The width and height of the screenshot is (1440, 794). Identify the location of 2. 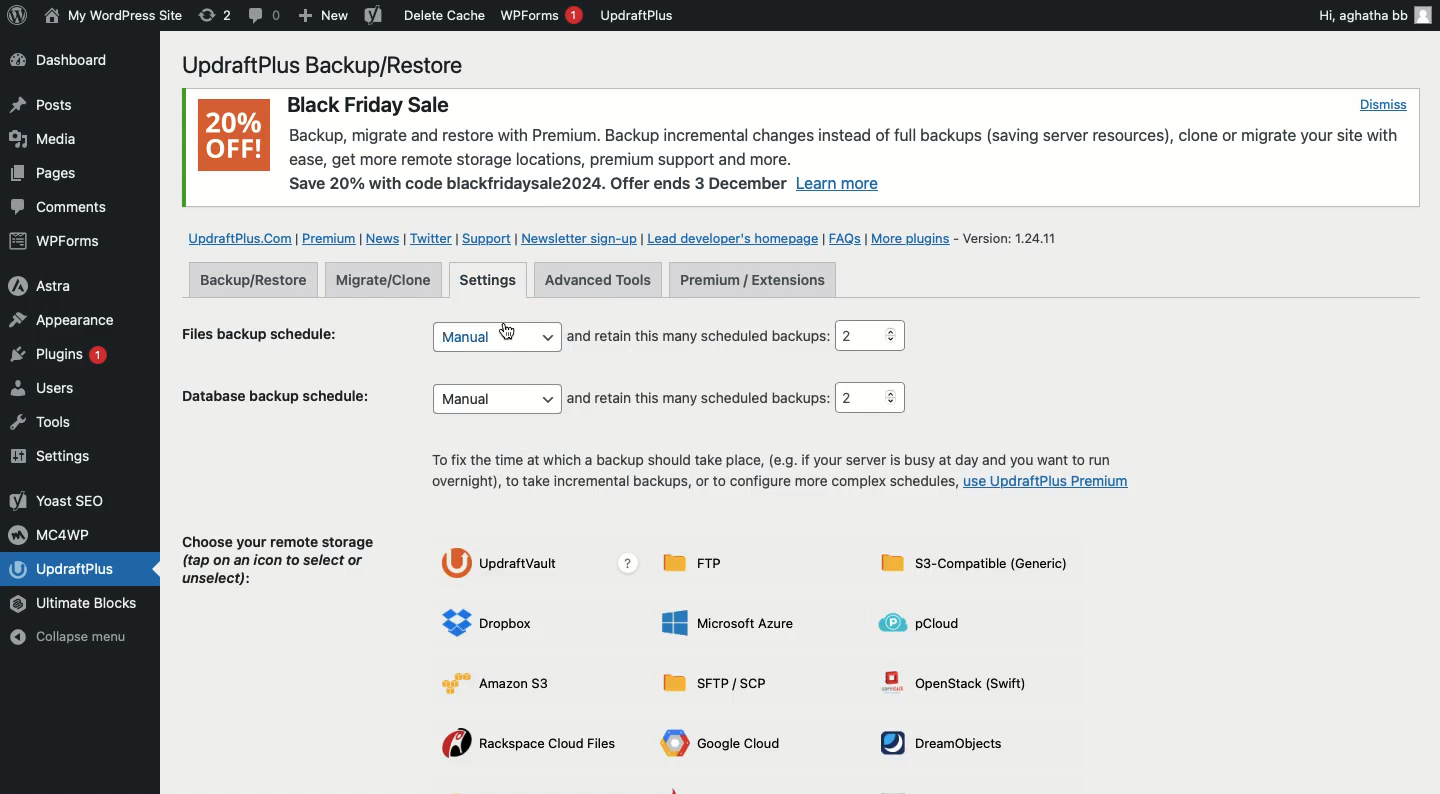
(874, 336).